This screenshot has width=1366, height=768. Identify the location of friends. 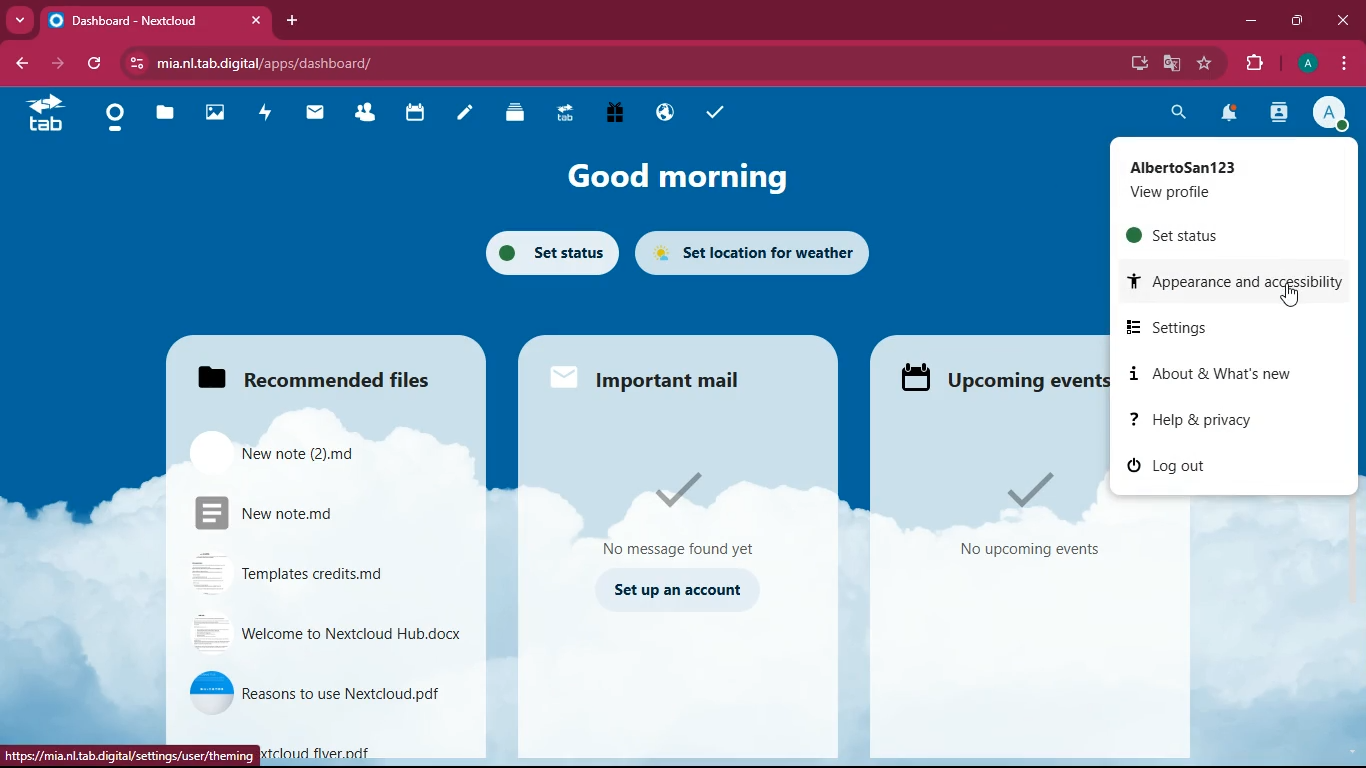
(361, 114).